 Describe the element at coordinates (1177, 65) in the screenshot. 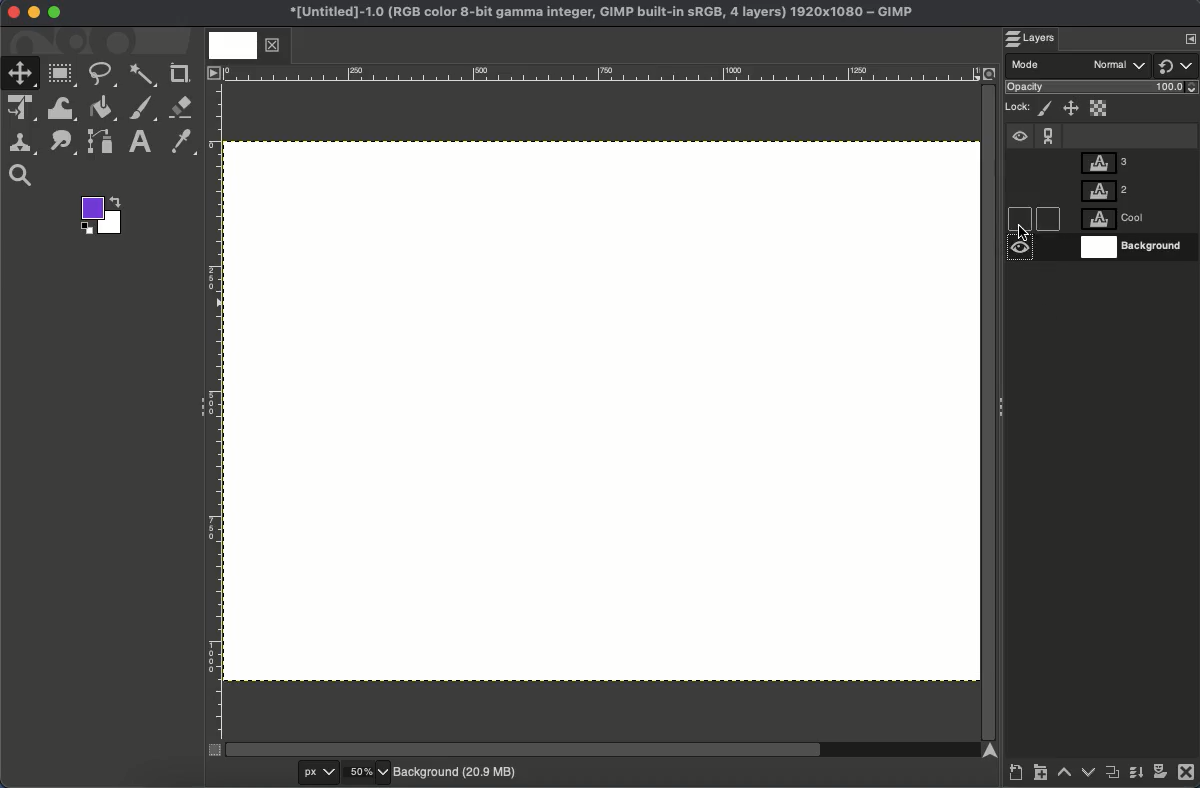

I see `Switch` at that location.